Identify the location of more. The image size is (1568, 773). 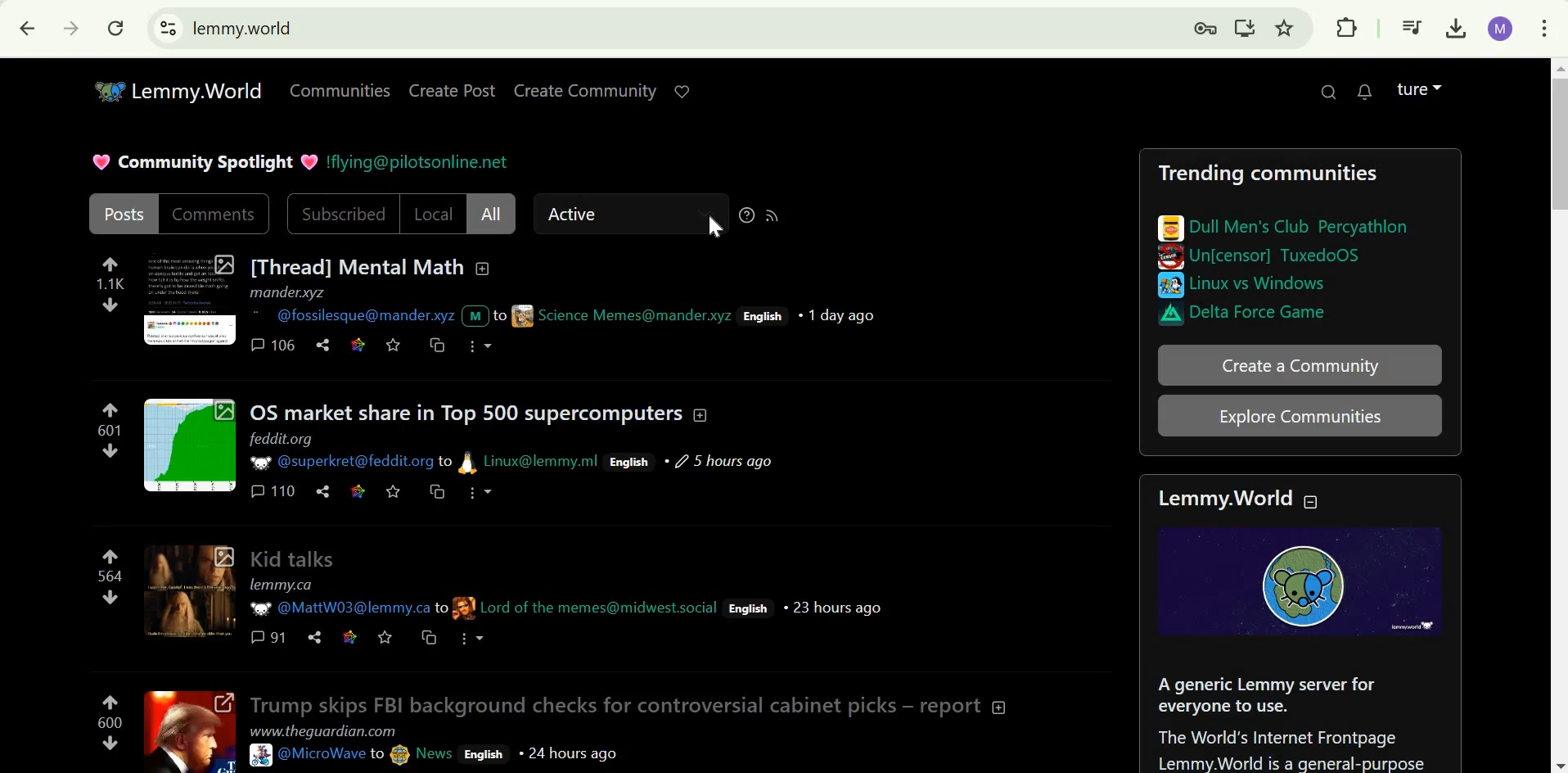
(480, 346).